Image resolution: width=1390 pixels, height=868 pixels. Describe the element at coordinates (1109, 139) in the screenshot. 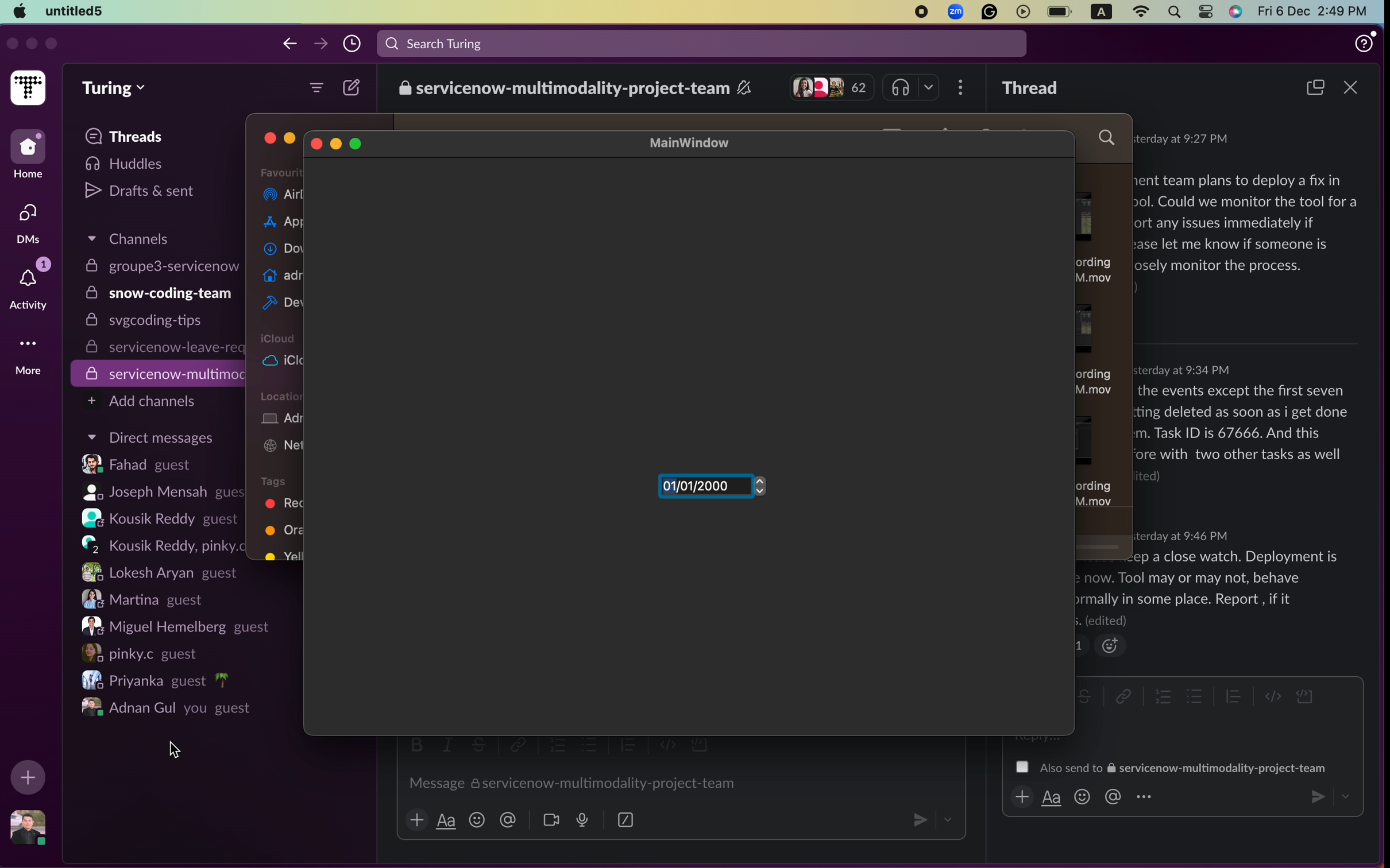

I see `search` at that location.